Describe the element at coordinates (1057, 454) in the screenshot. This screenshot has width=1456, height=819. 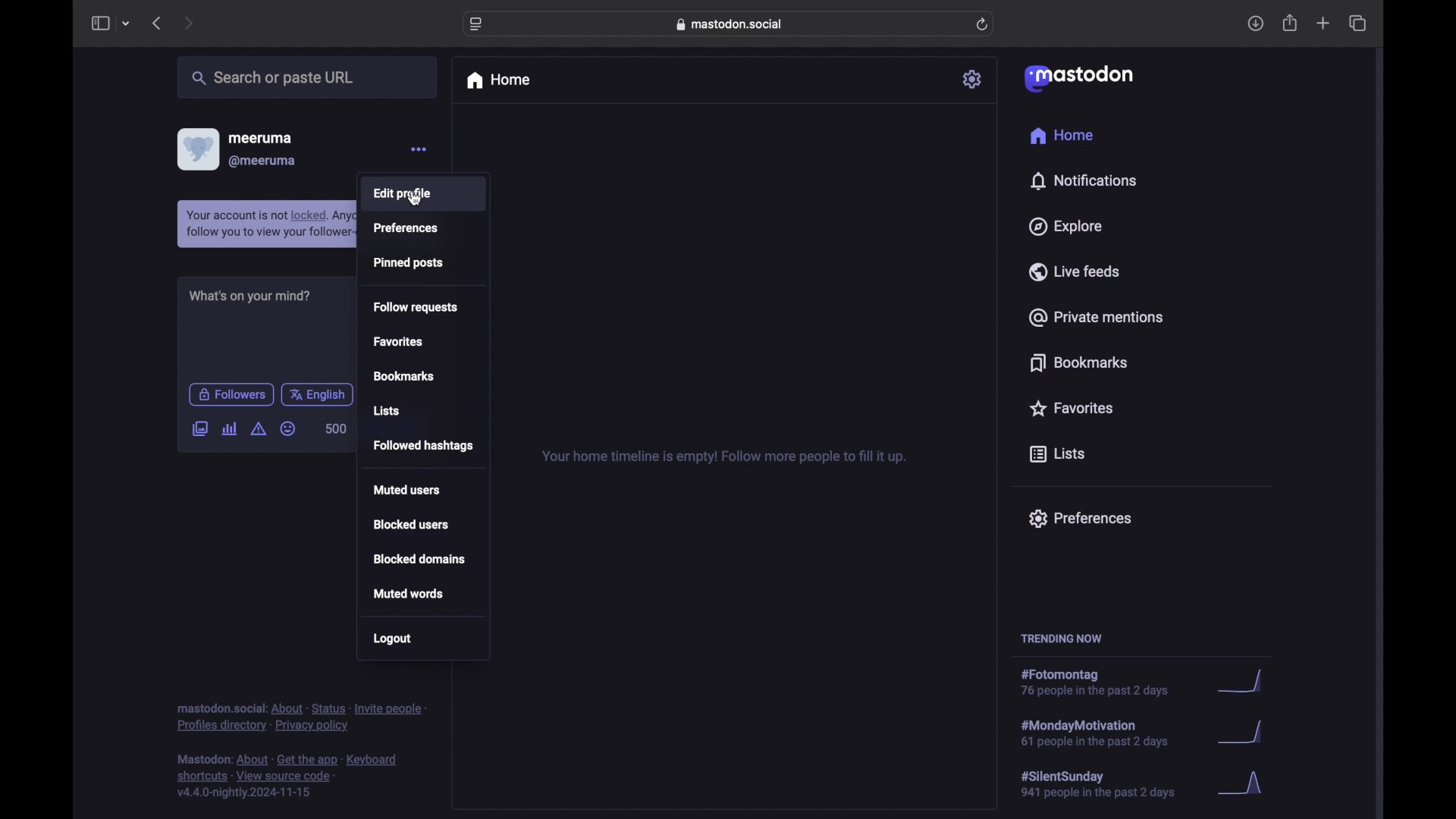
I see `lists` at that location.